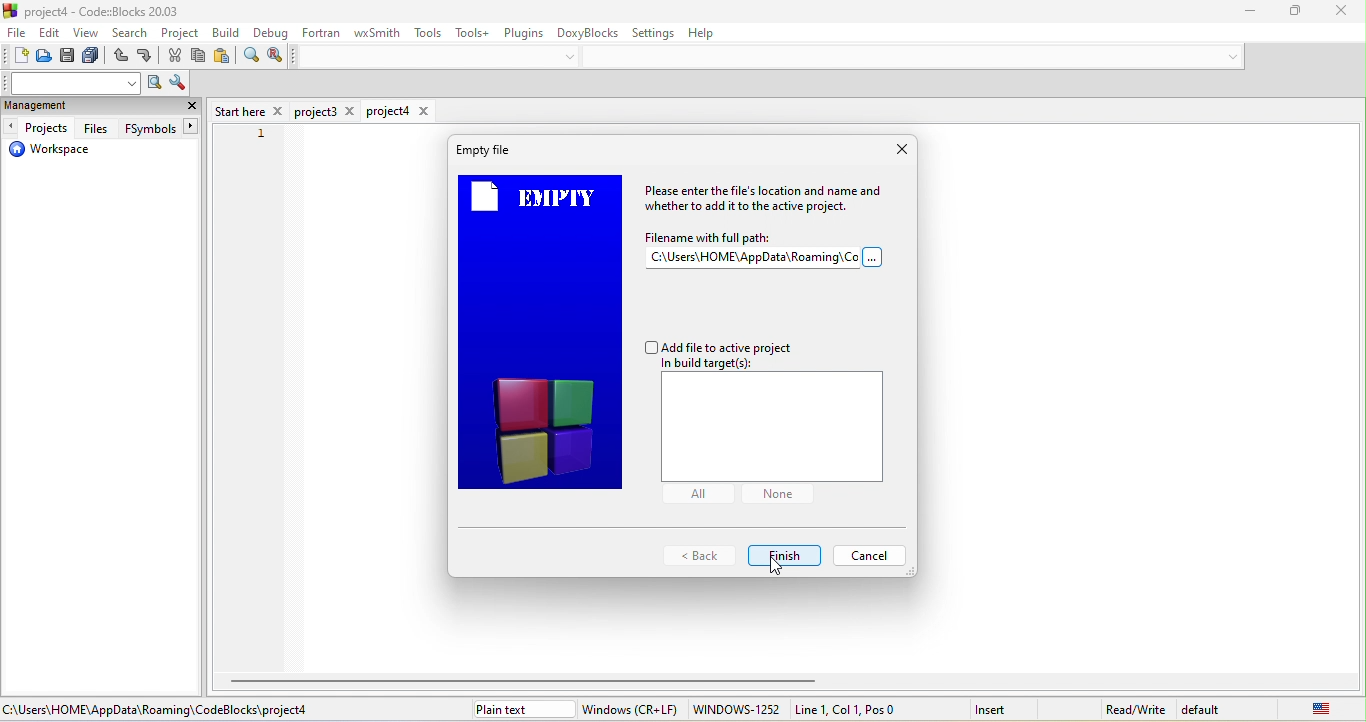 The width and height of the screenshot is (1366, 722). I want to click on united state, so click(1307, 708).